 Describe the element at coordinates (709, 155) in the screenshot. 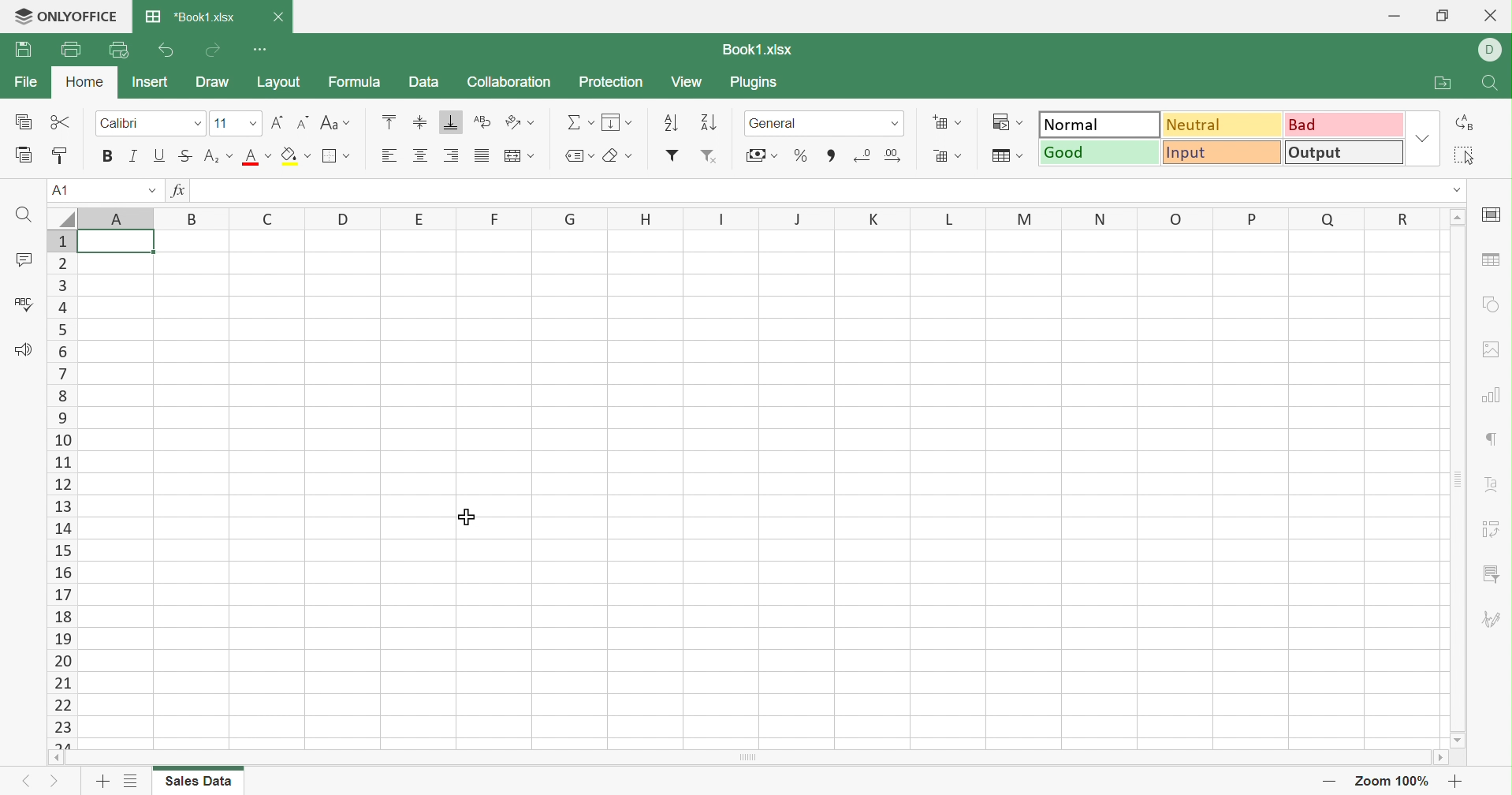

I see `Remove filter` at that location.